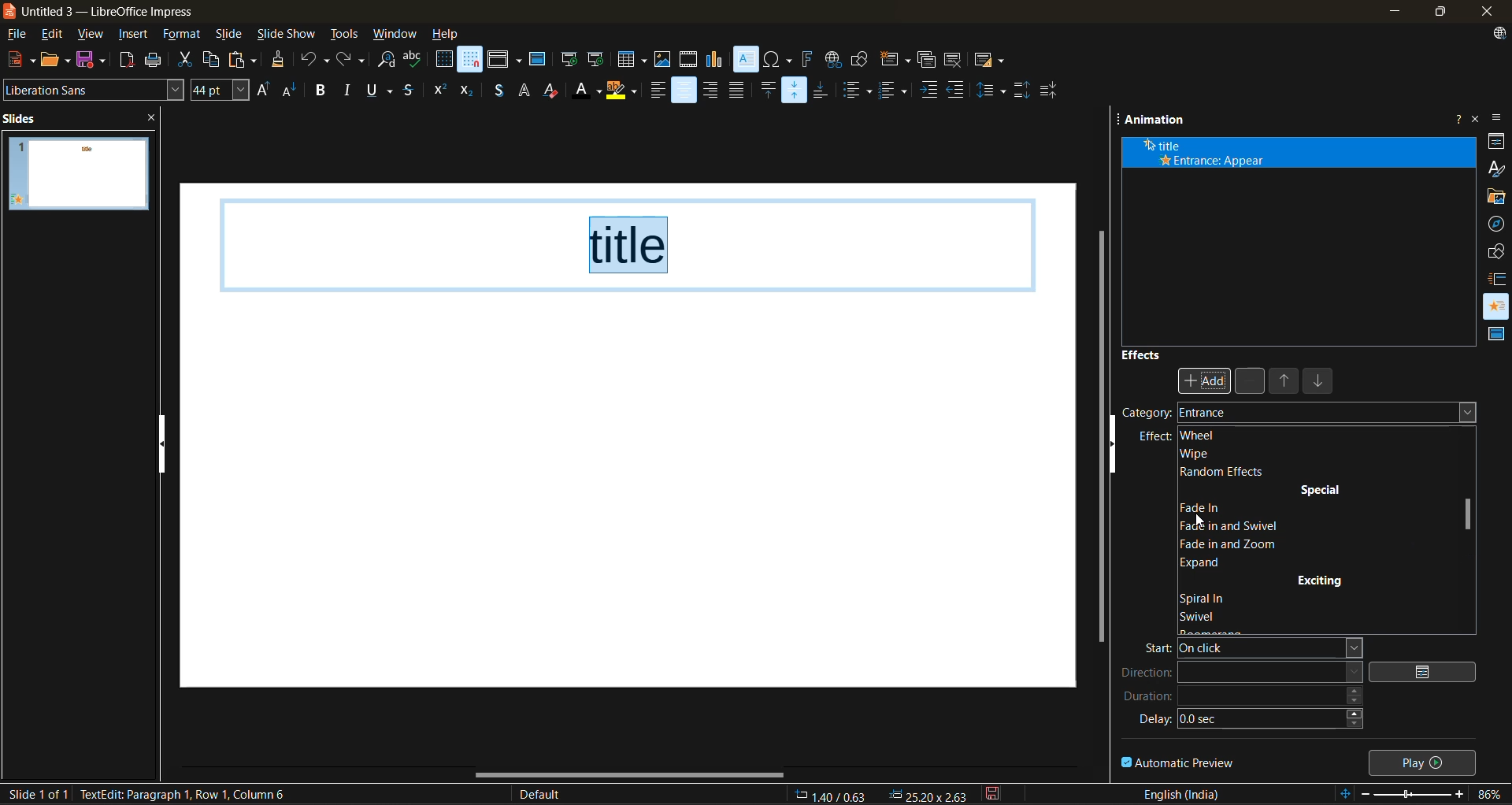 The image size is (1512, 805). What do you see at coordinates (896, 90) in the screenshot?
I see `toggle ordered list` at bounding box center [896, 90].